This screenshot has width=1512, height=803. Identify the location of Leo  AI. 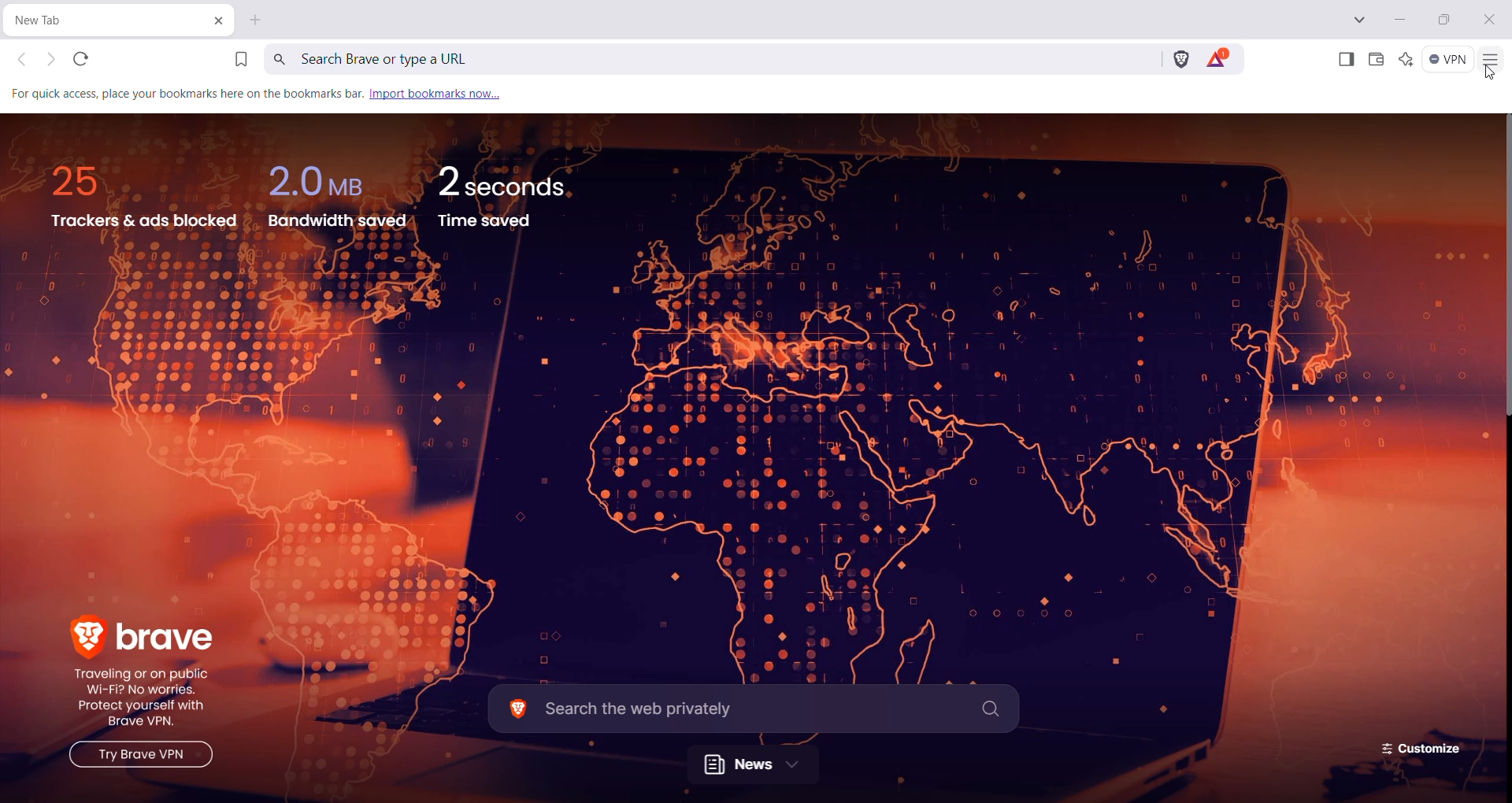
(1405, 58).